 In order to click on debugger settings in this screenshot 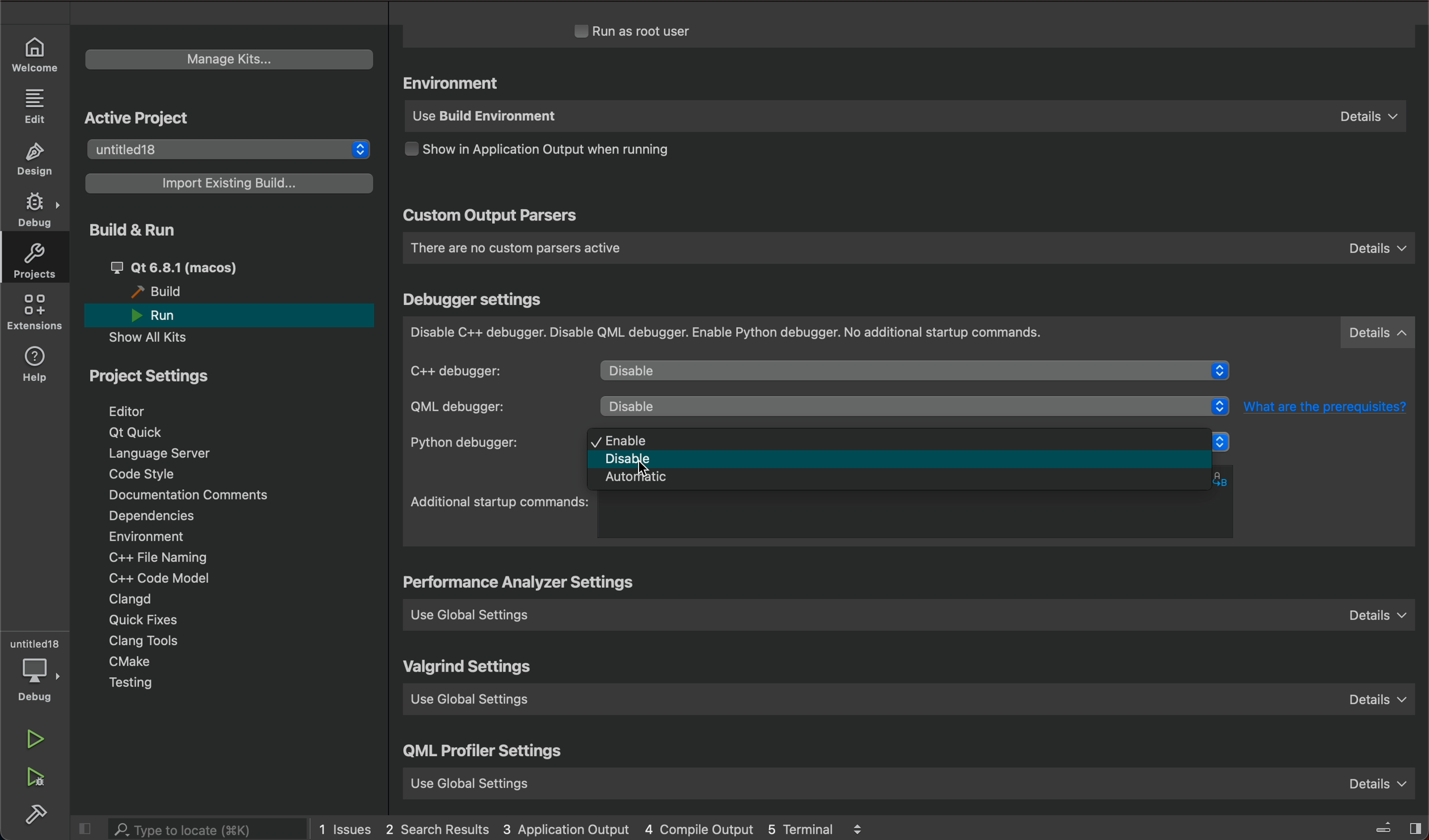, I will do `click(475, 300)`.